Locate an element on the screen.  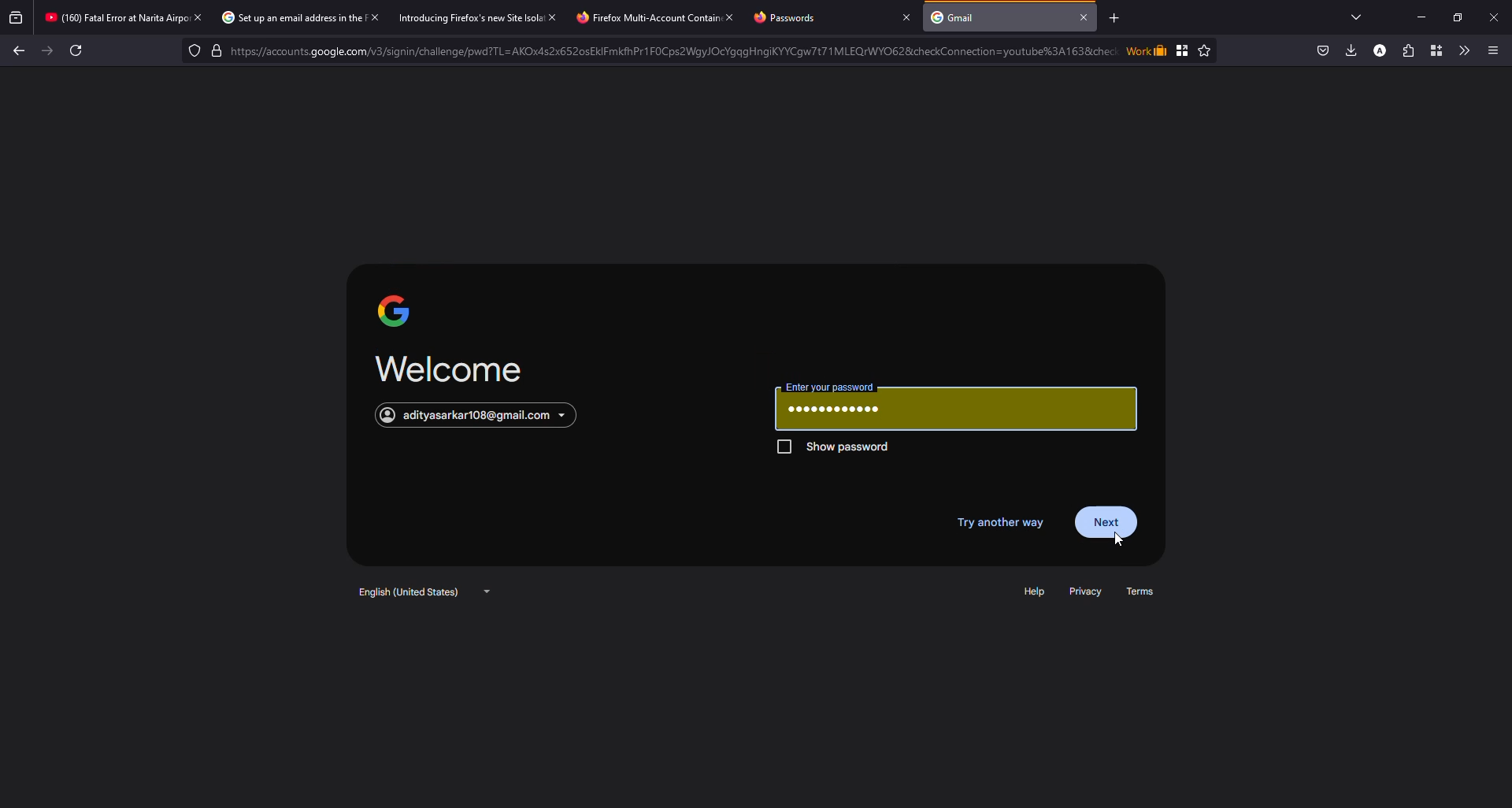
help is located at coordinates (1033, 595).